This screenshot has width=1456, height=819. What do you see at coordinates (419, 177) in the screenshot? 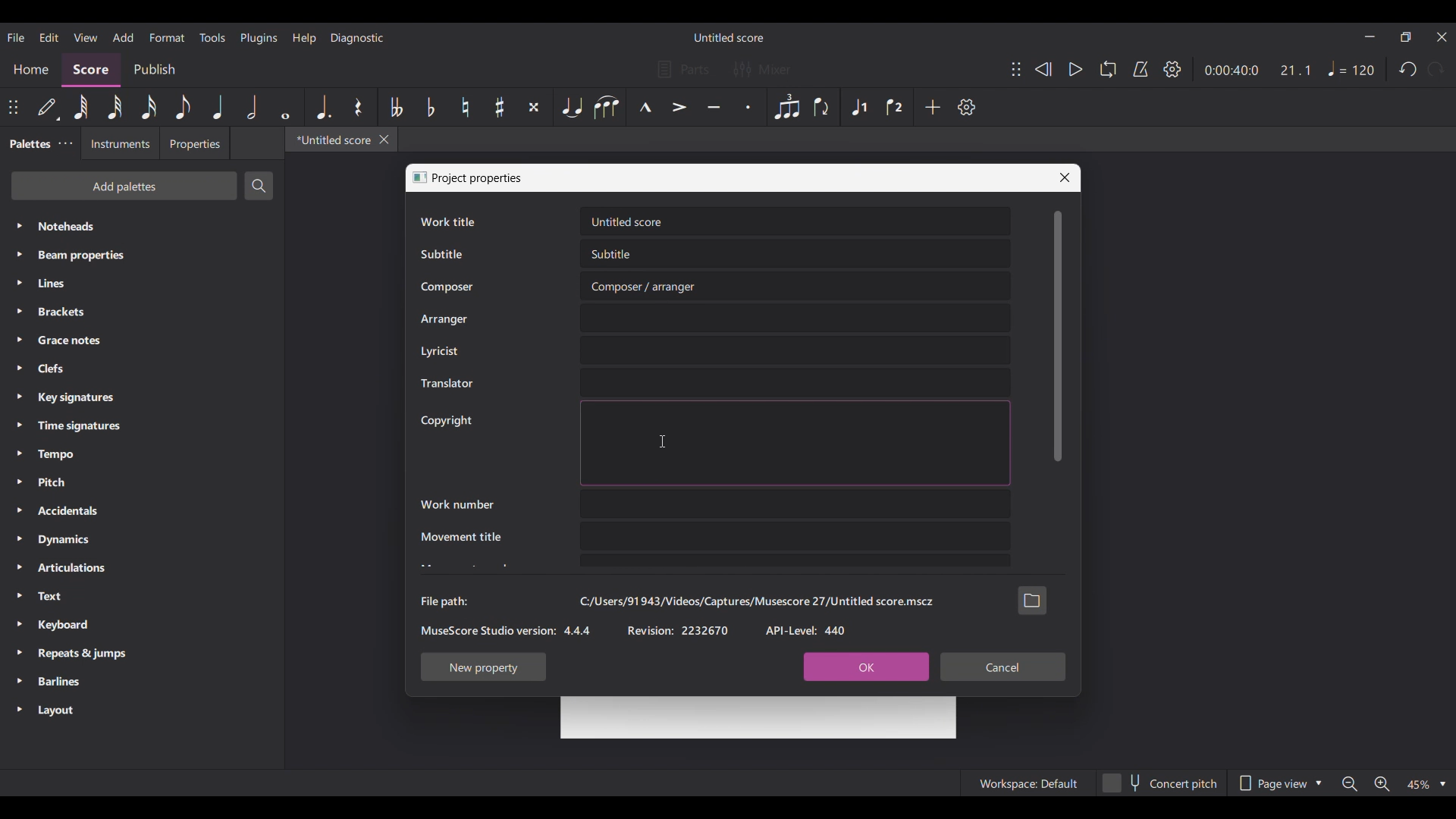
I see `Window logo` at bounding box center [419, 177].